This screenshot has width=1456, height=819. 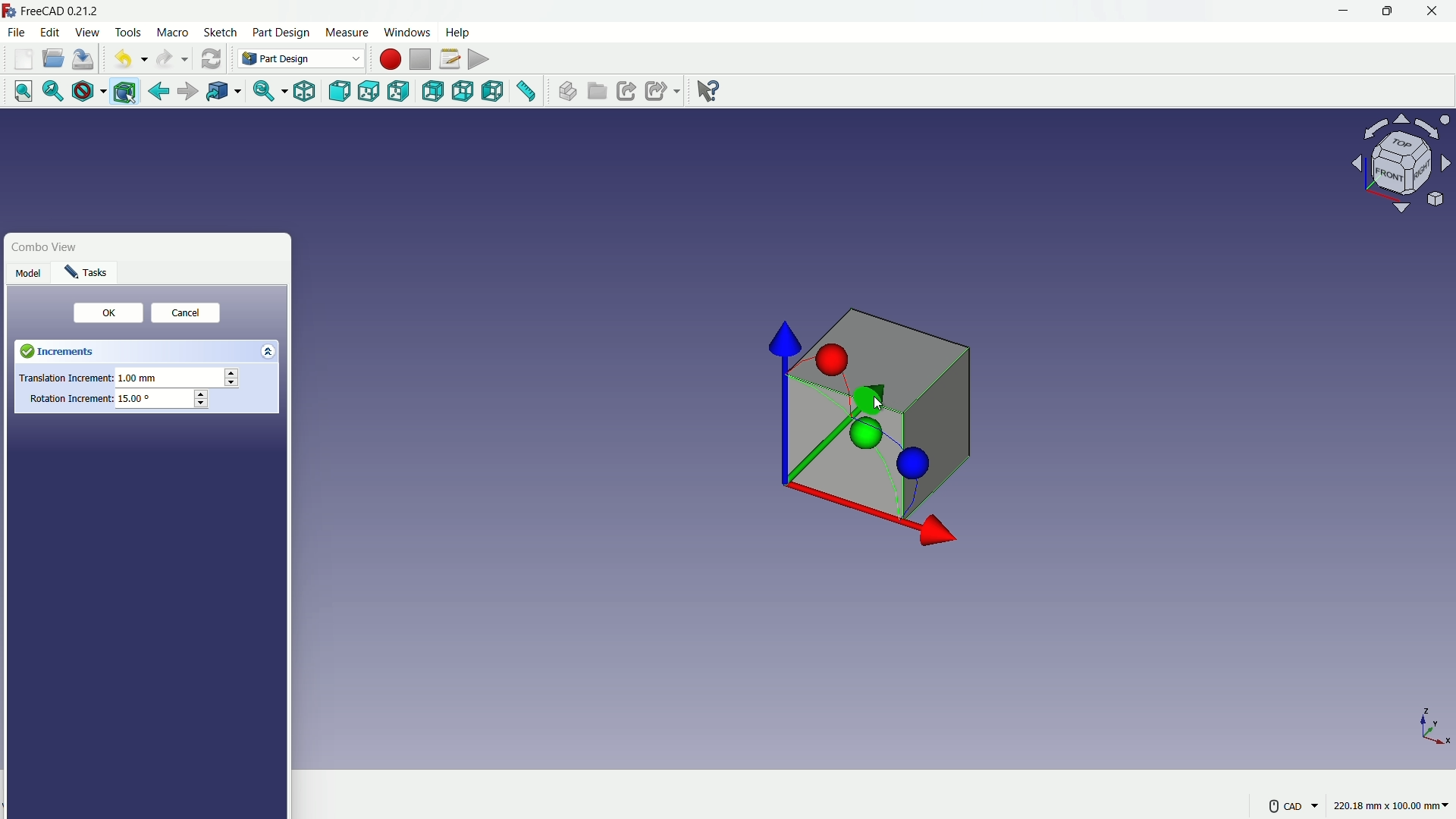 What do you see at coordinates (449, 58) in the screenshot?
I see `macros` at bounding box center [449, 58].